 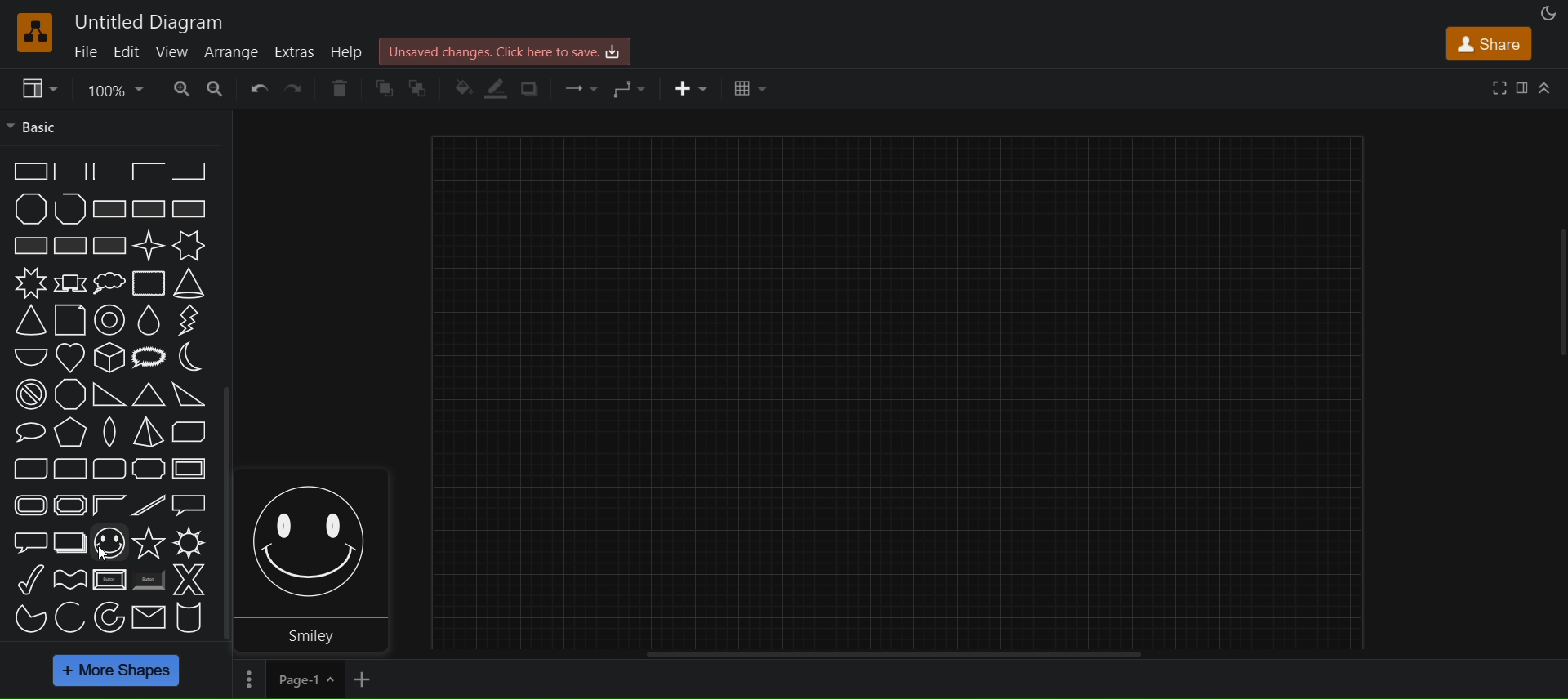 I want to click on donut, so click(x=114, y=321).